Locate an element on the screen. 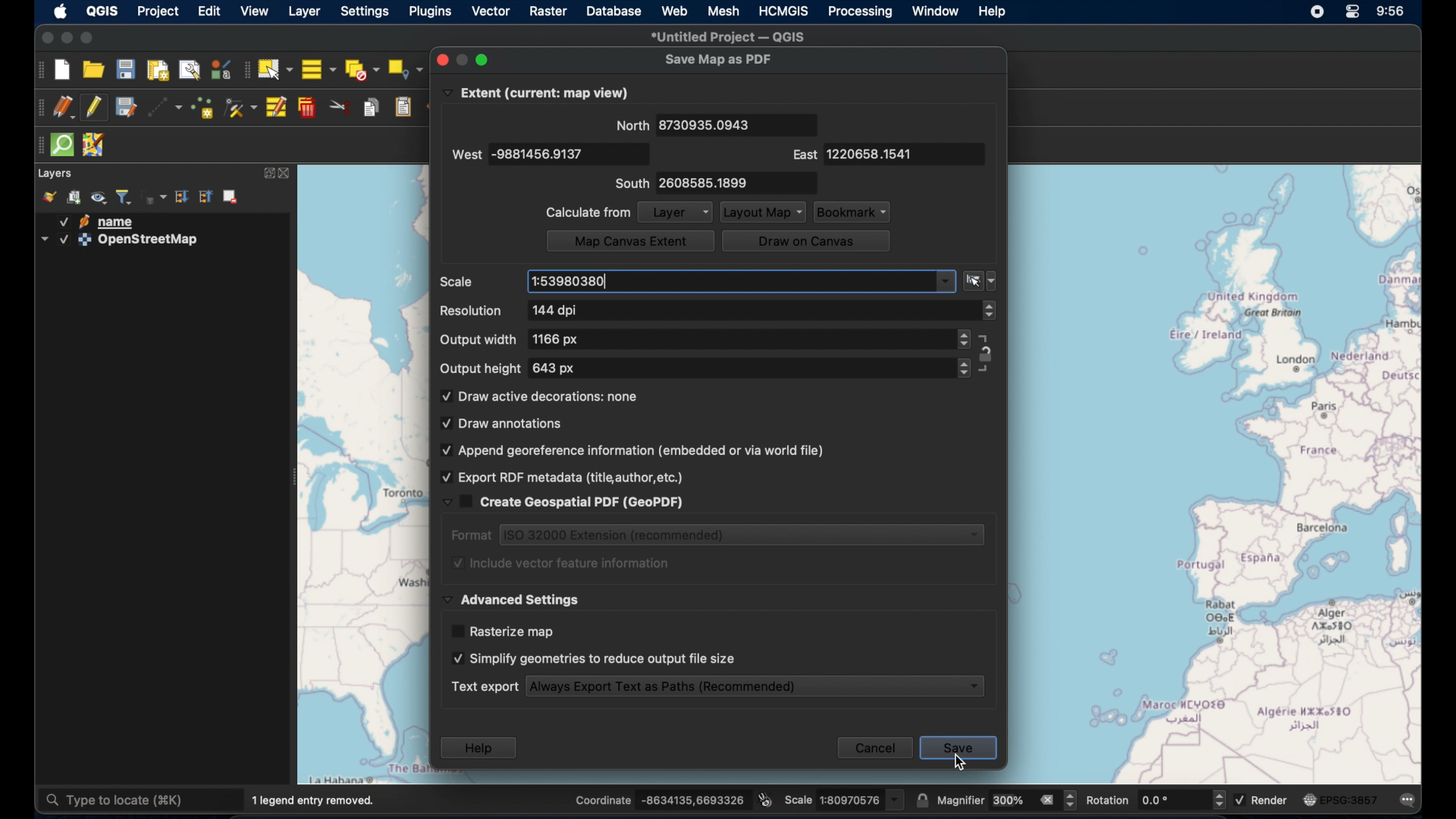  draw active decorations checkbox is located at coordinates (538, 397).